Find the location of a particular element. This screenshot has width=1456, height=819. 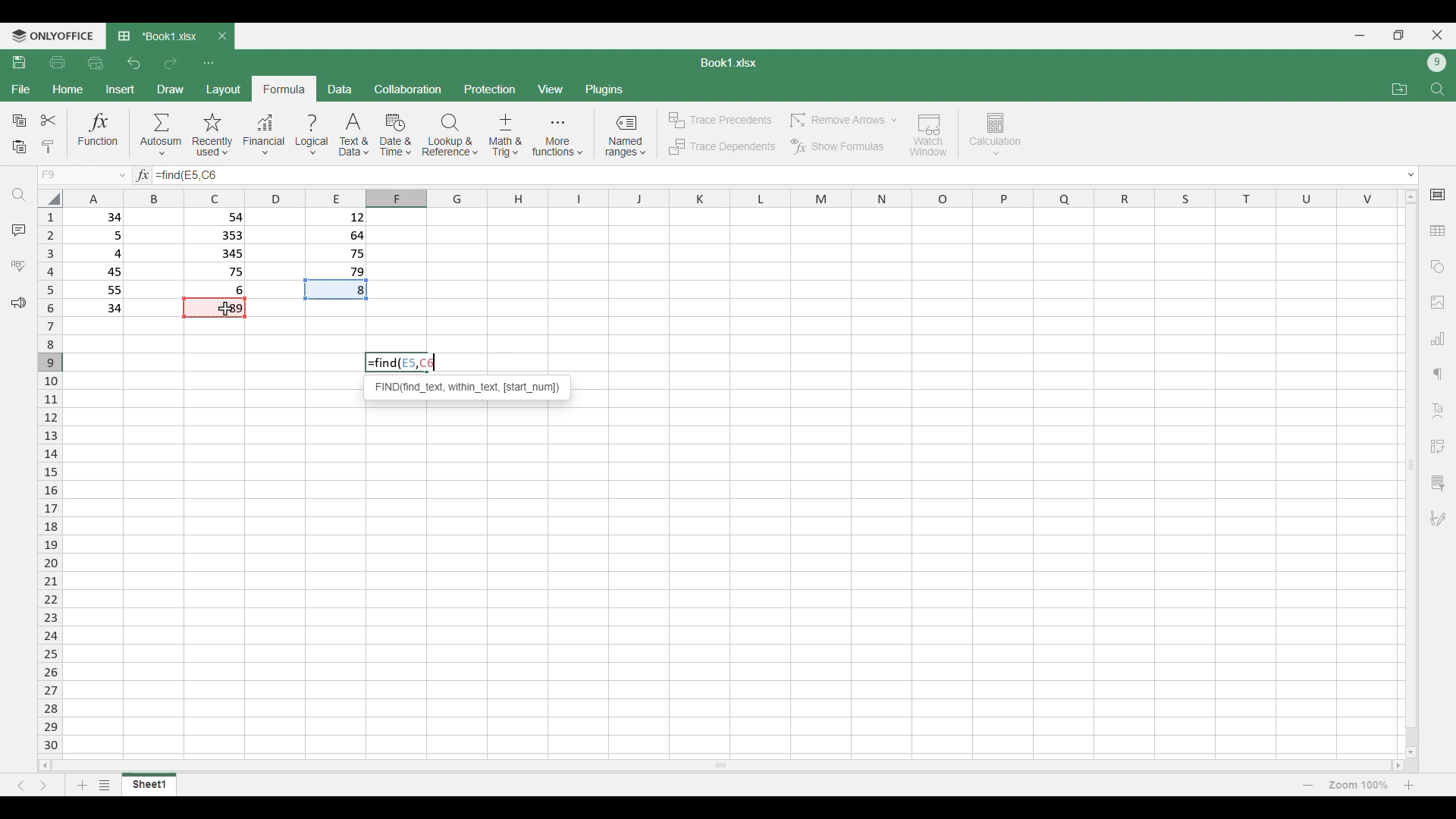

Show in smaller tab is located at coordinates (1398, 35).